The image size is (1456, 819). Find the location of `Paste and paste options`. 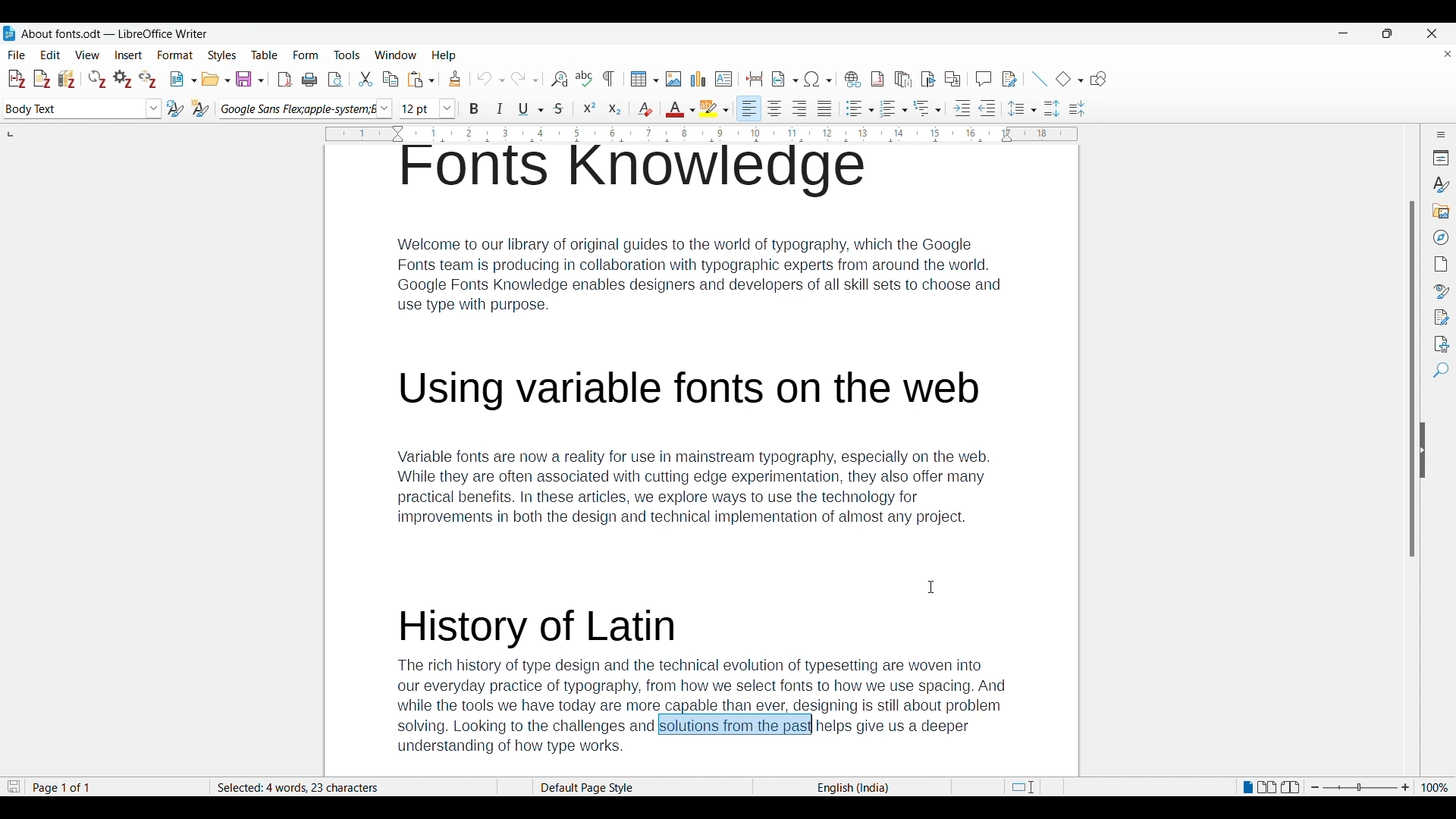

Paste and paste options is located at coordinates (422, 80).